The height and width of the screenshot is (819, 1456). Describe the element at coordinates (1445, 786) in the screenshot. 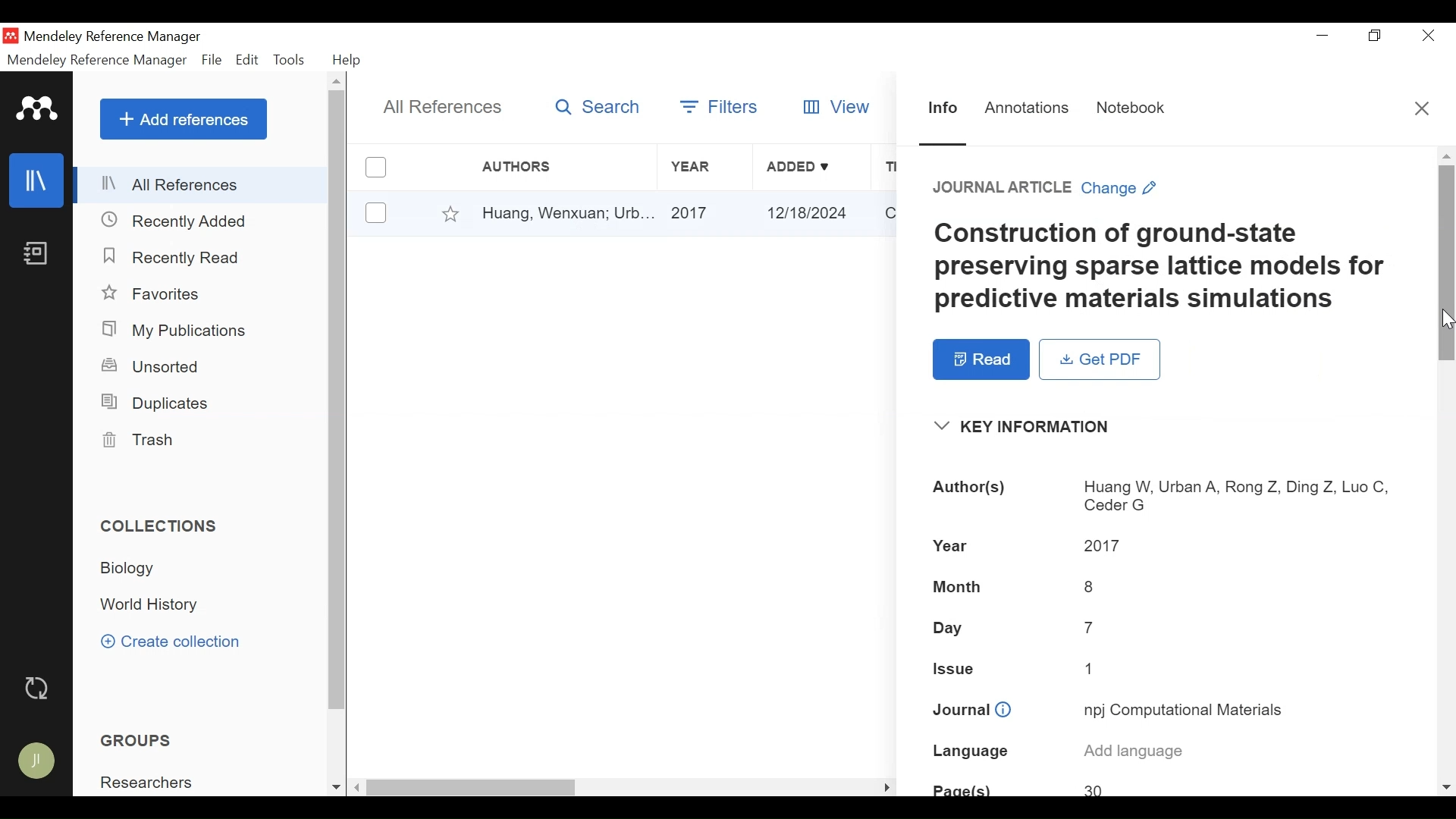

I see `Scroll down` at that location.